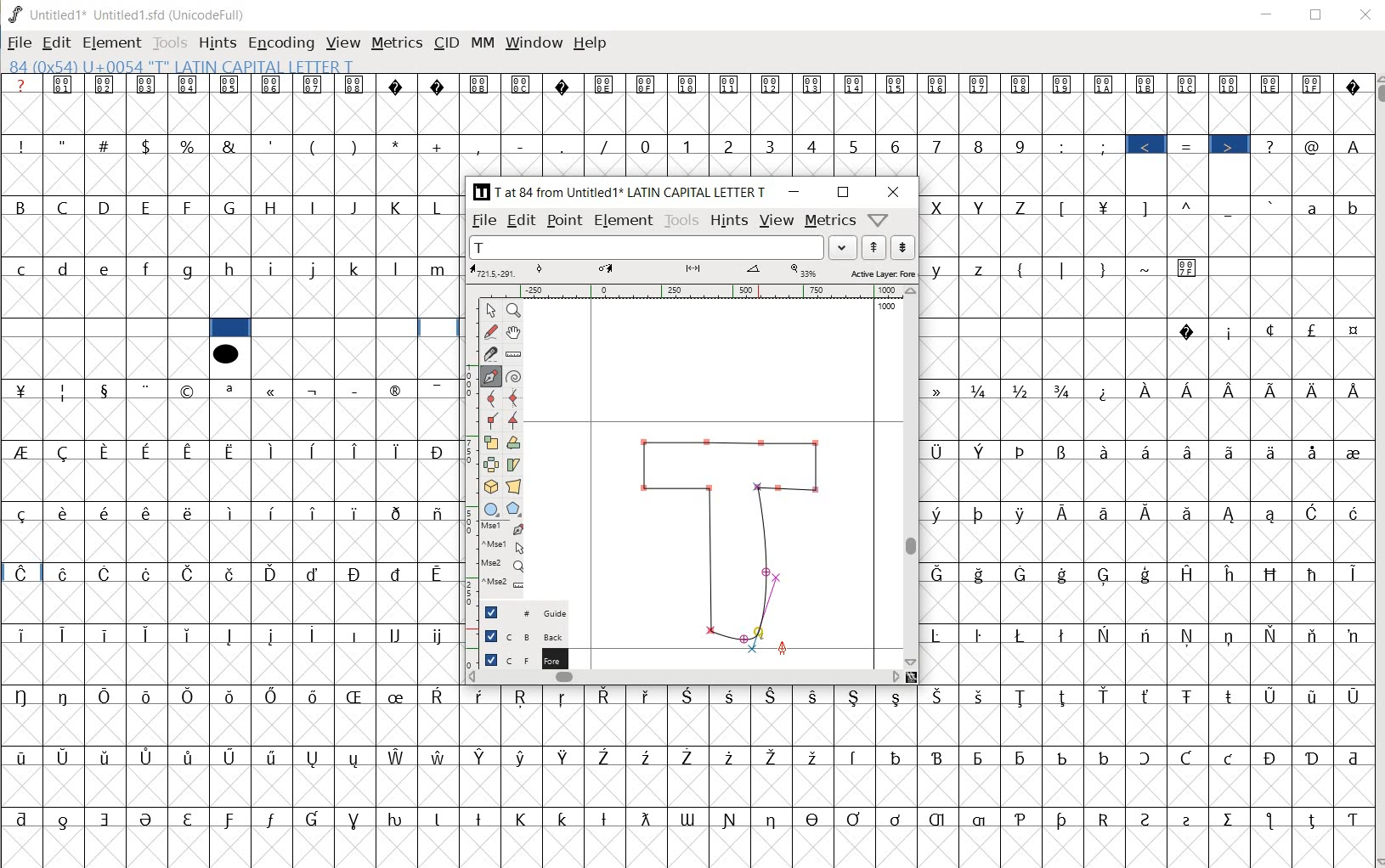 This screenshot has width=1385, height=868. What do you see at coordinates (514, 375) in the screenshot?
I see `spiro` at bounding box center [514, 375].